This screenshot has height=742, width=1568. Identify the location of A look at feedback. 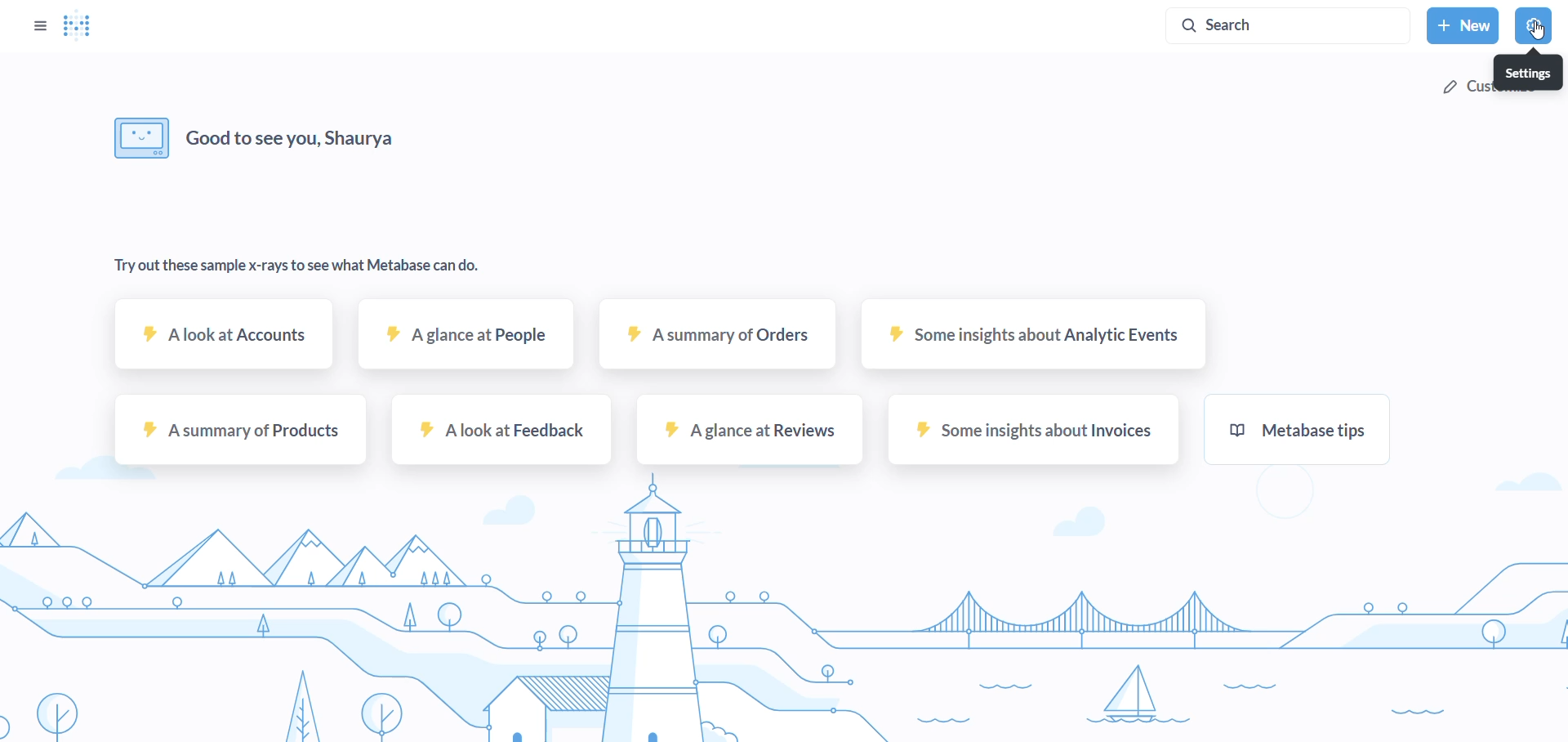
(497, 436).